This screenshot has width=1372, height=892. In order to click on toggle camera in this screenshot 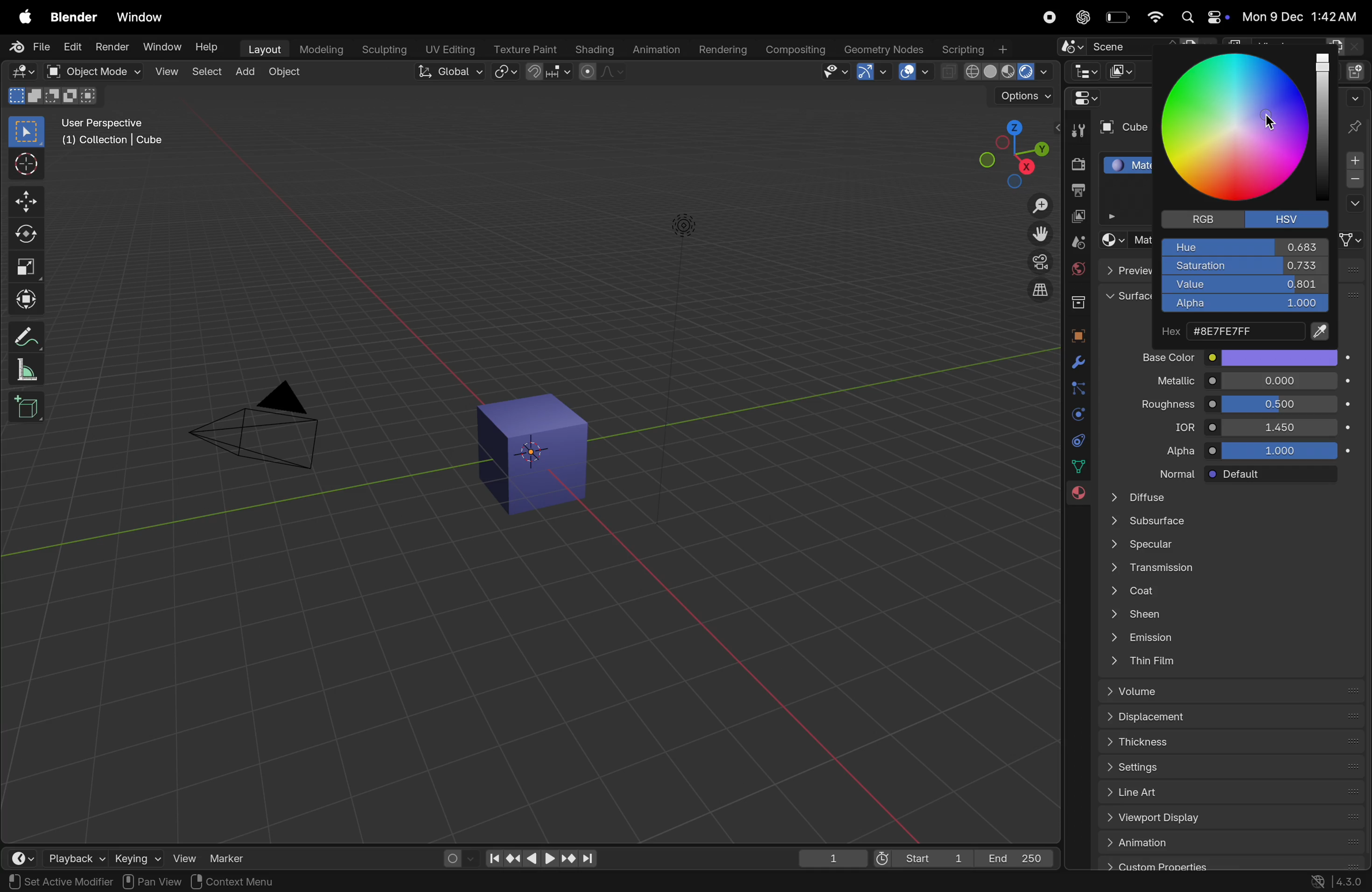, I will do `click(1038, 262)`.